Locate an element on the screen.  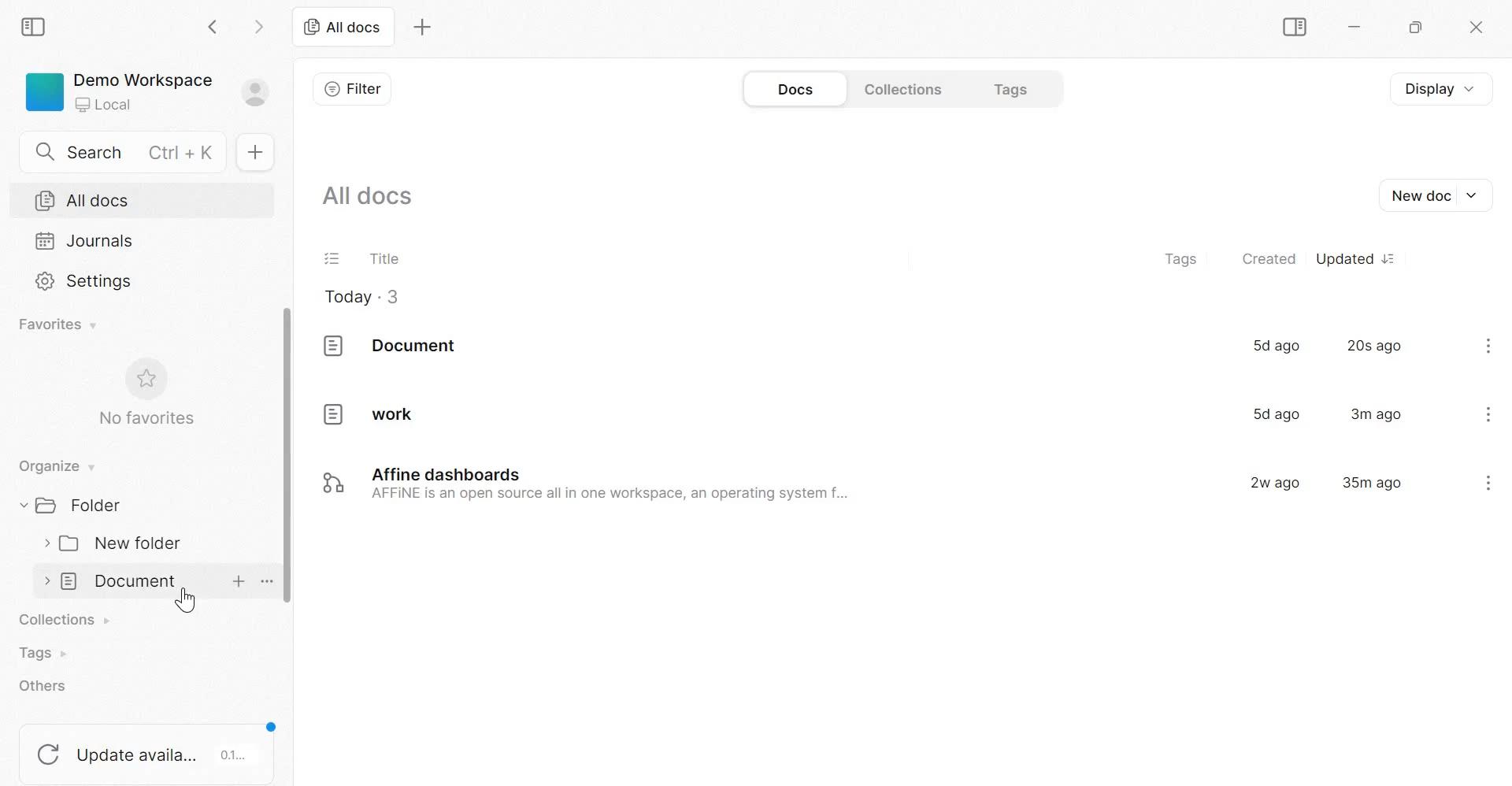
New tab is located at coordinates (422, 26).